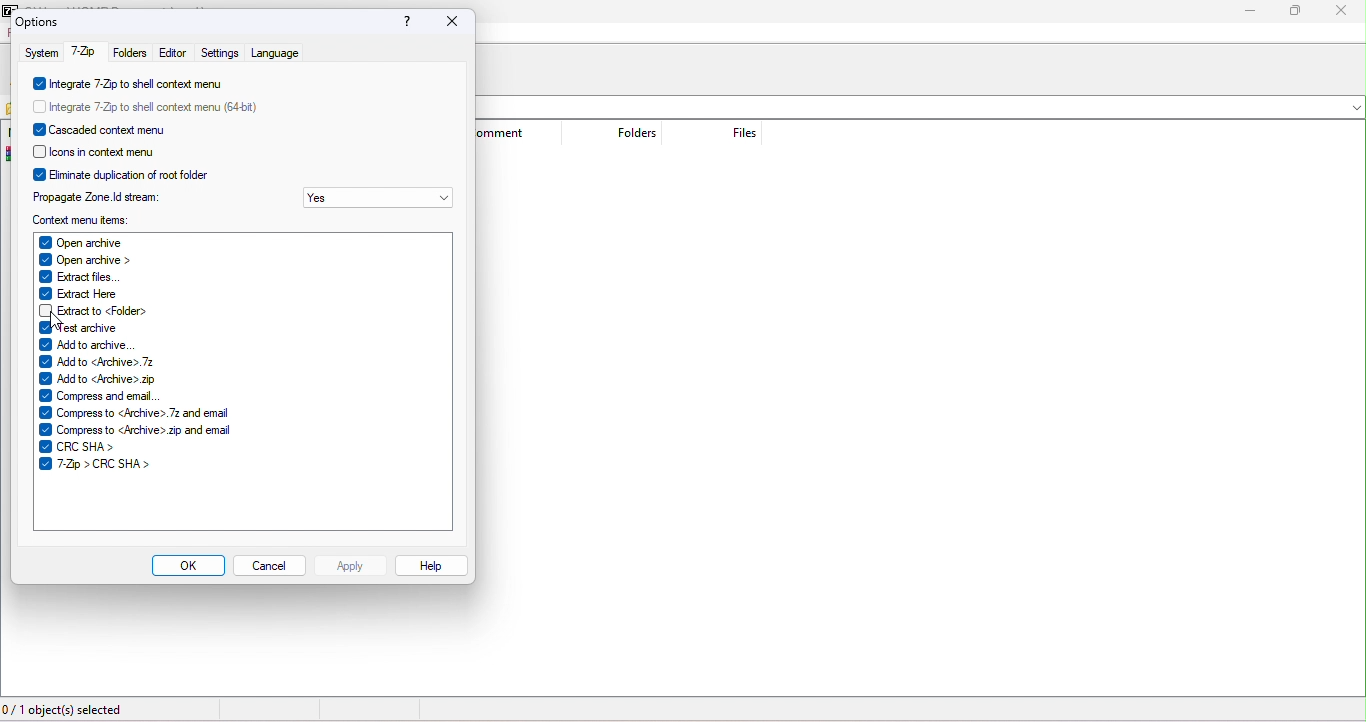 This screenshot has height=722, width=1366. I want to click on apply, so click(351, 566).